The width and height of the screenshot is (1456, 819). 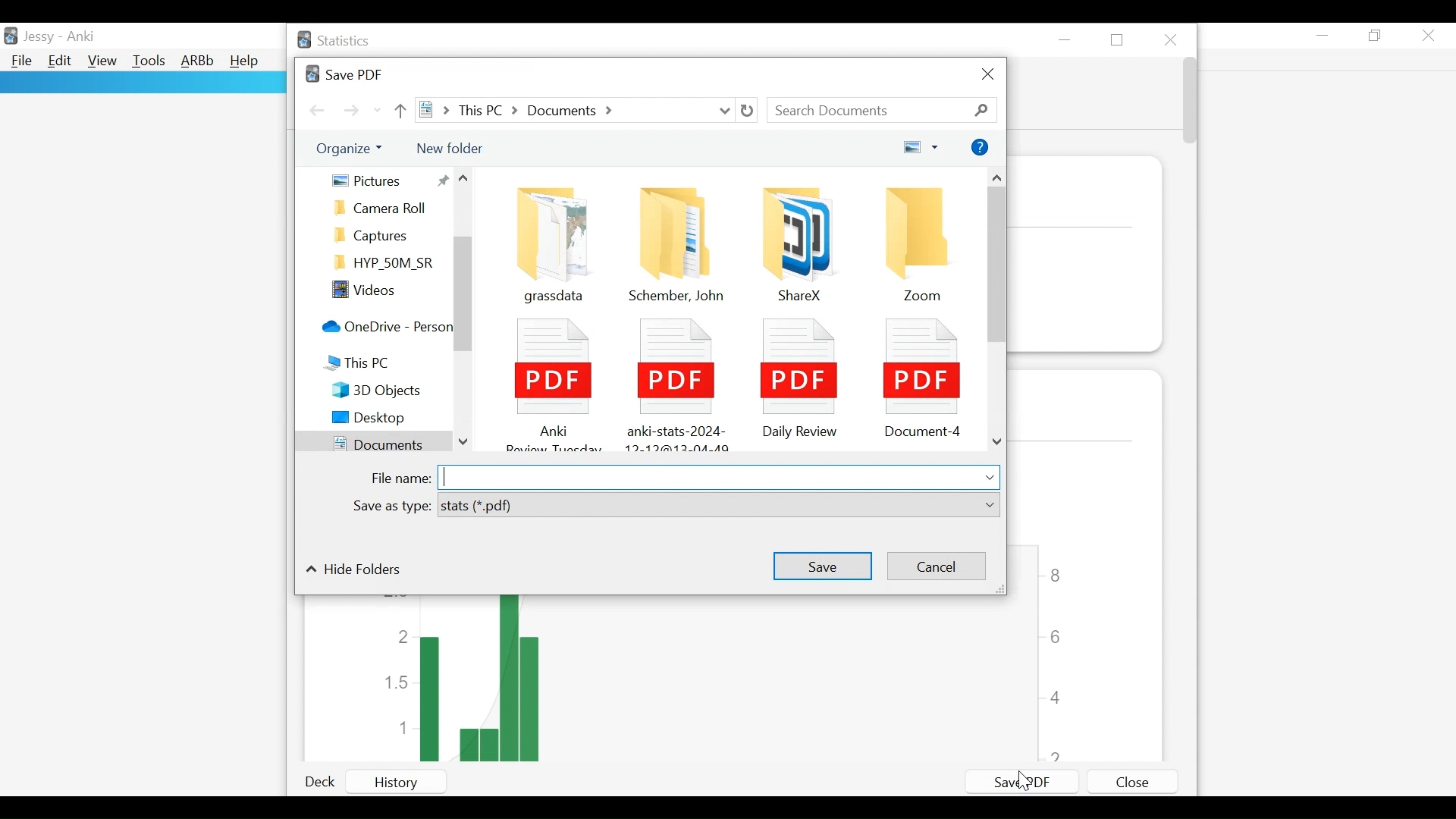 I want to click on Folder, so click(x=548, y=239).